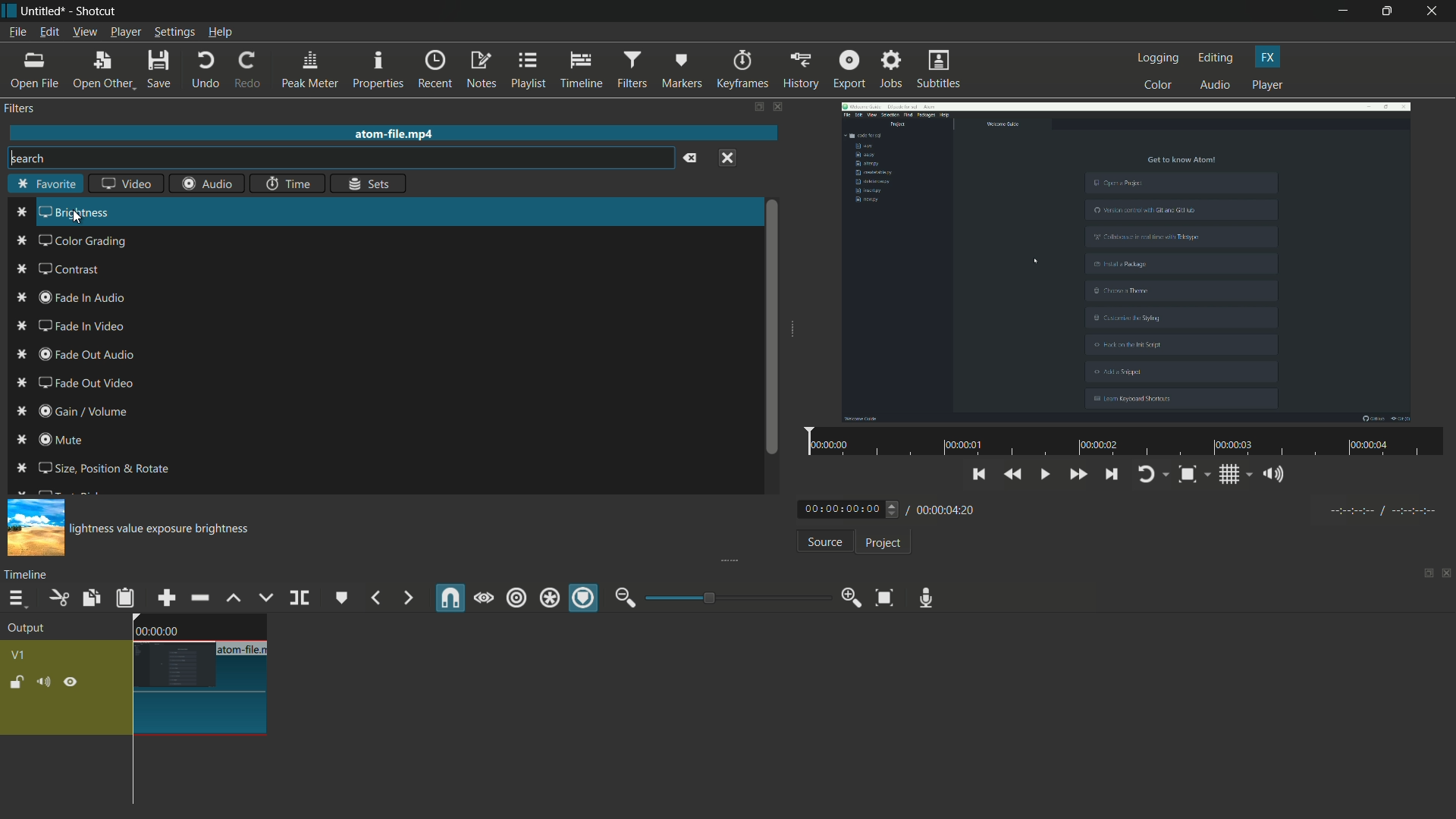  What do you see at coordinates (342, 598) in the screenshot?
I see `create/edit marker` at bounding box center [342, 598].